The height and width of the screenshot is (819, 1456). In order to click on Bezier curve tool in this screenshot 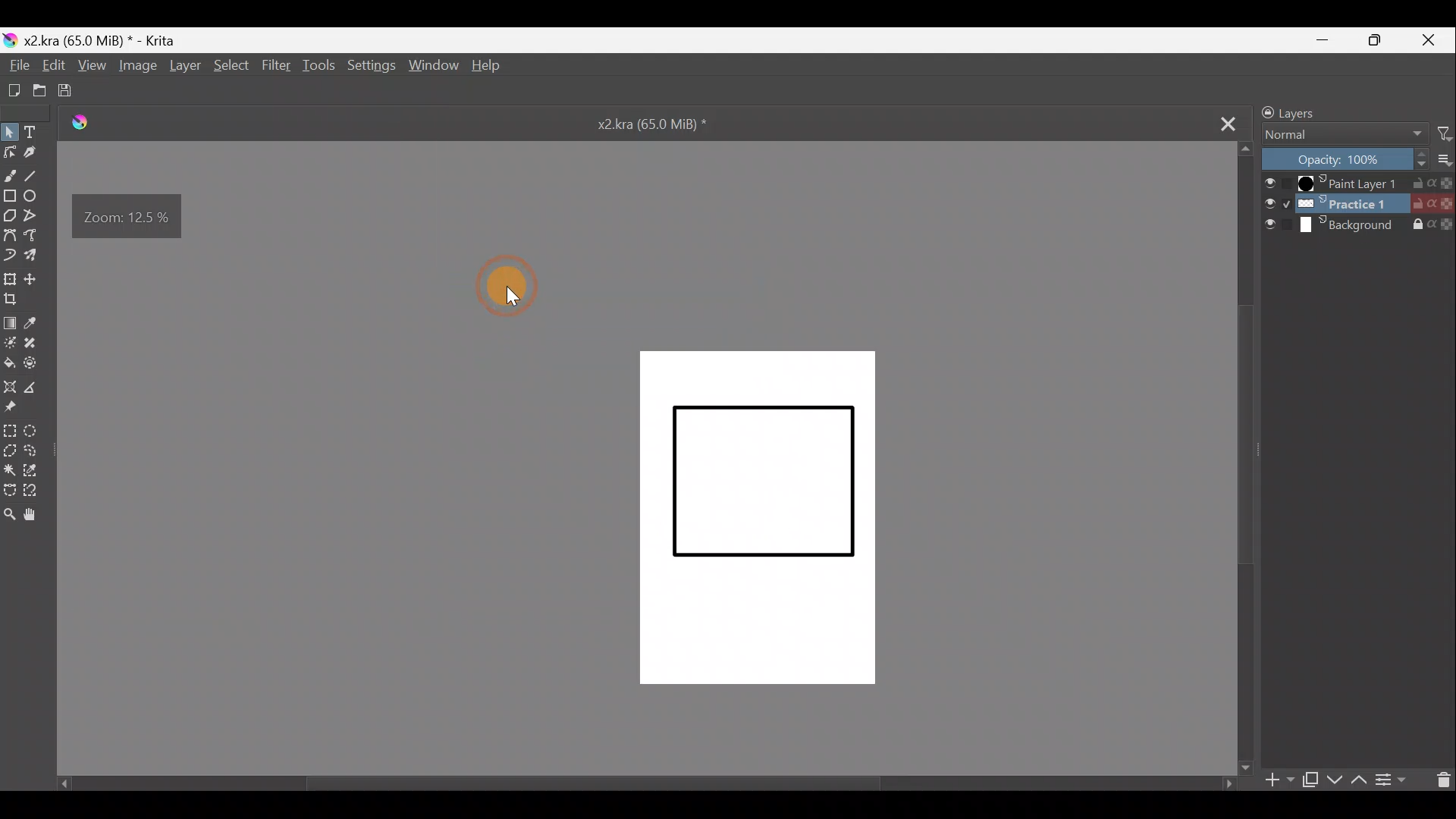, I will do `click(9, 234)`.